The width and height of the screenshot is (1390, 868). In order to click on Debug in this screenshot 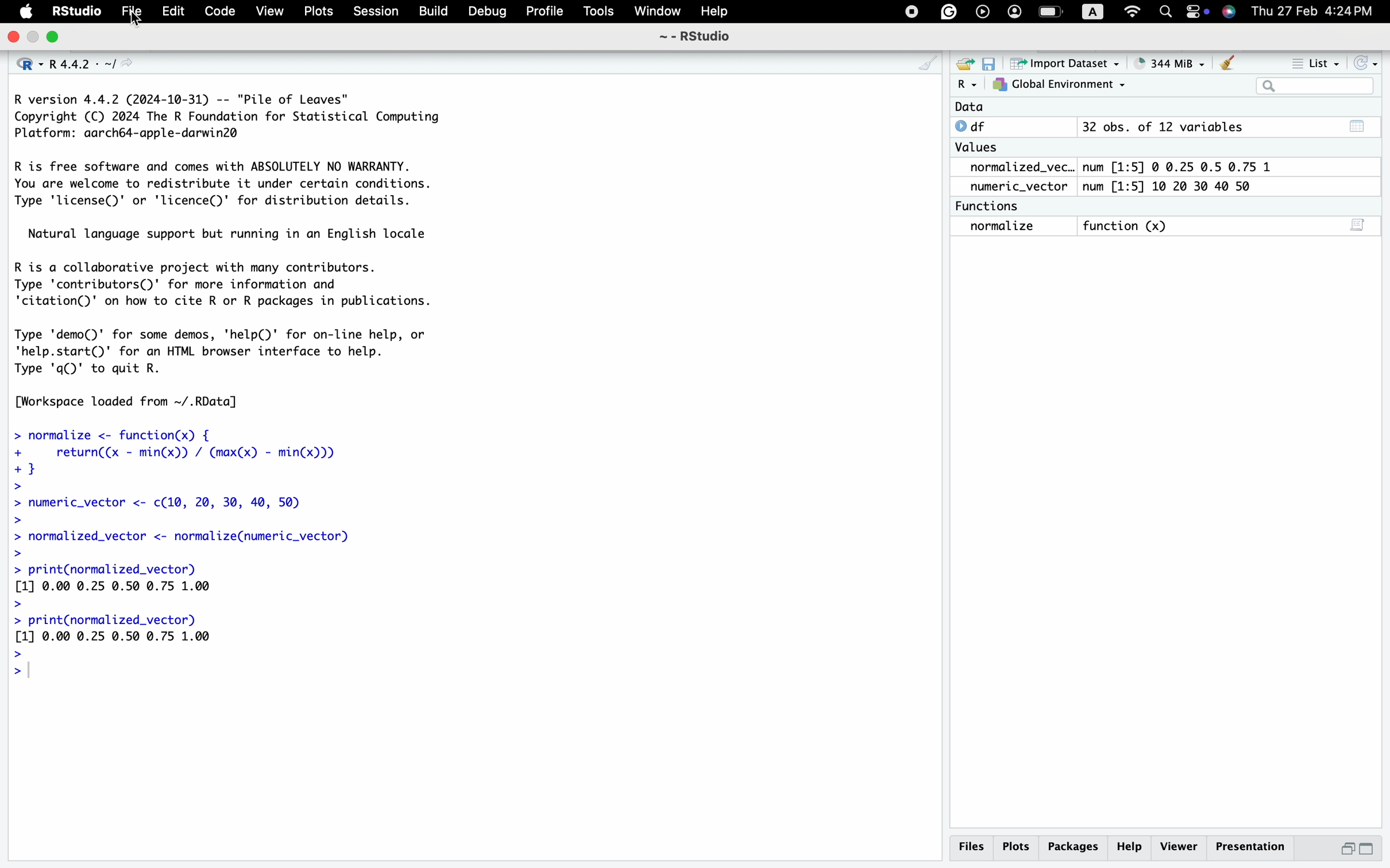, I will do `click(489, 13)`.